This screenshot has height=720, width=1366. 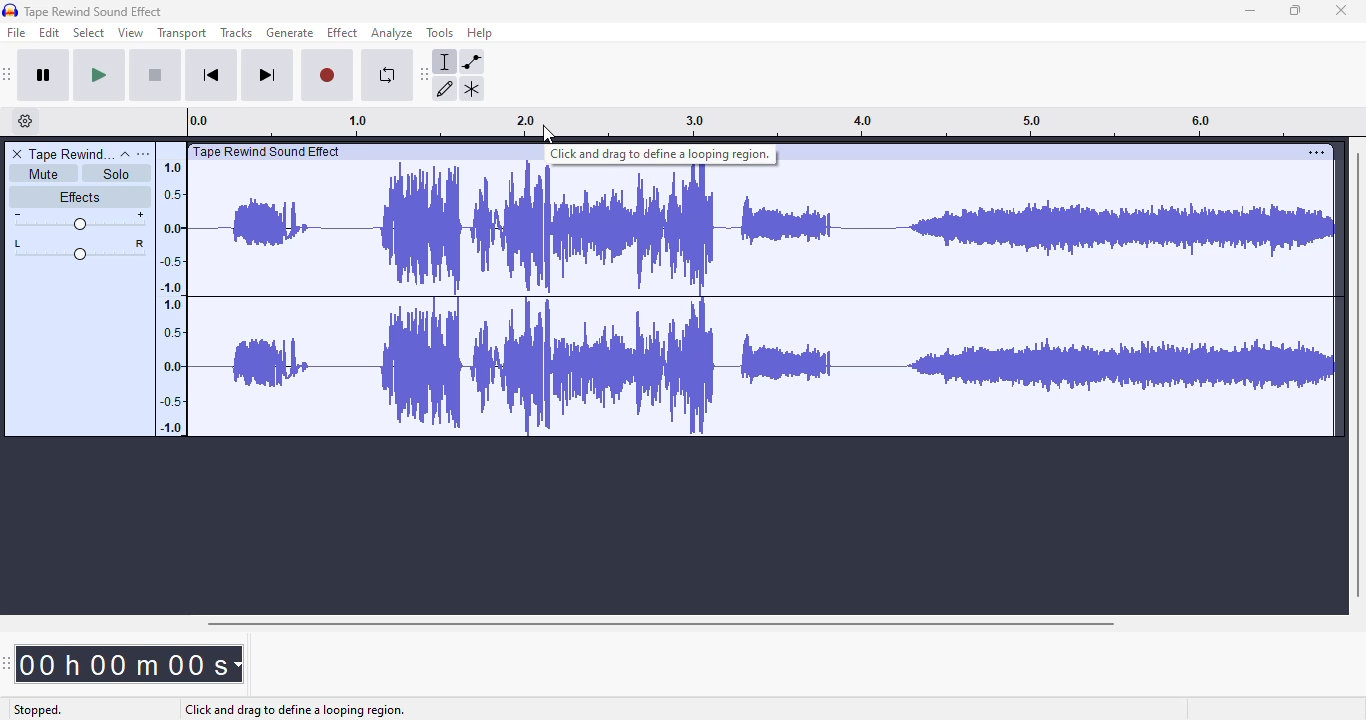 I want to click on selection tool, so click(x=448, y=61).